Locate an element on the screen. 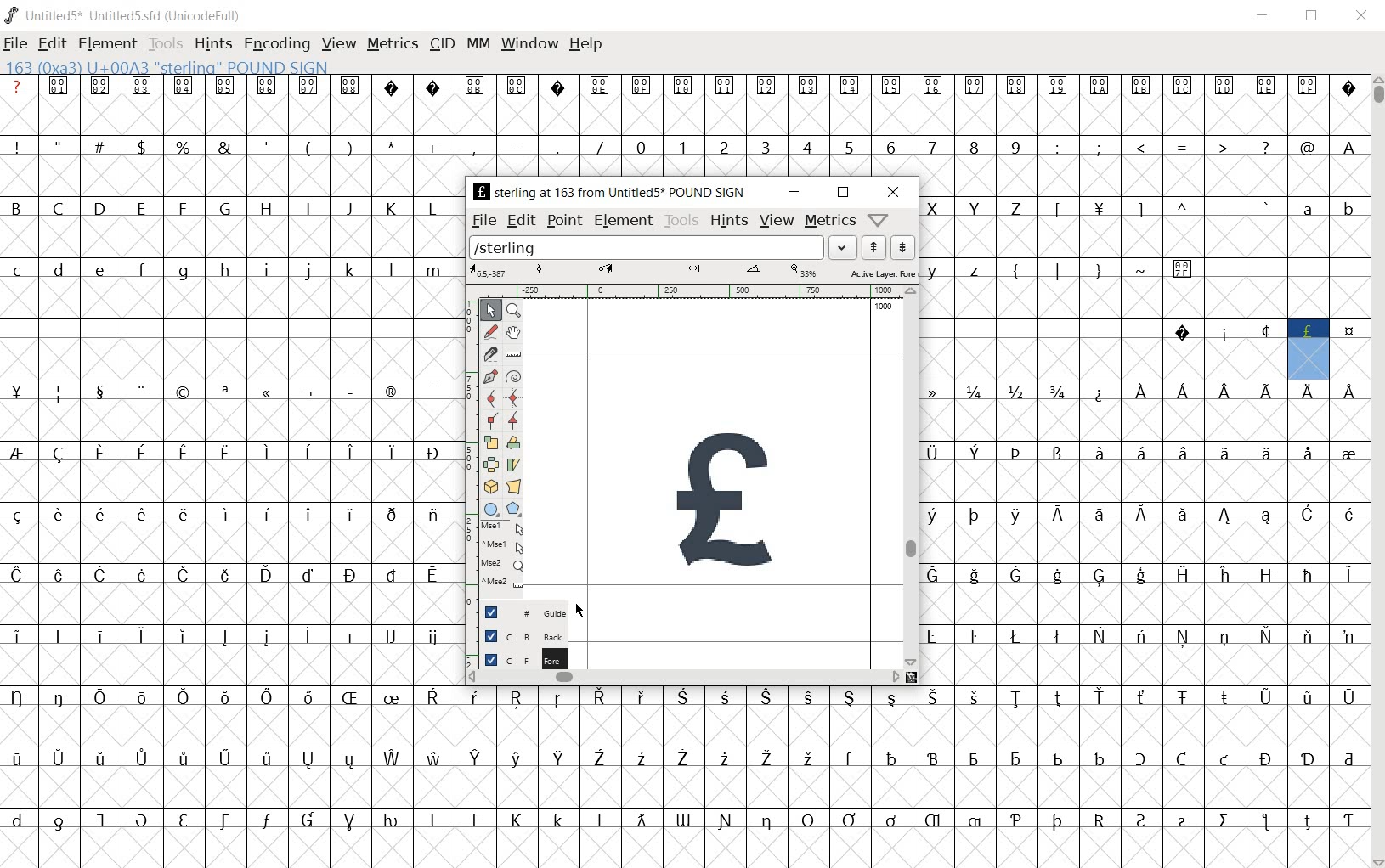 Image resolution: width=1385 pixels, height=868 pixels. Symbol is located at coordinates (224, 392).